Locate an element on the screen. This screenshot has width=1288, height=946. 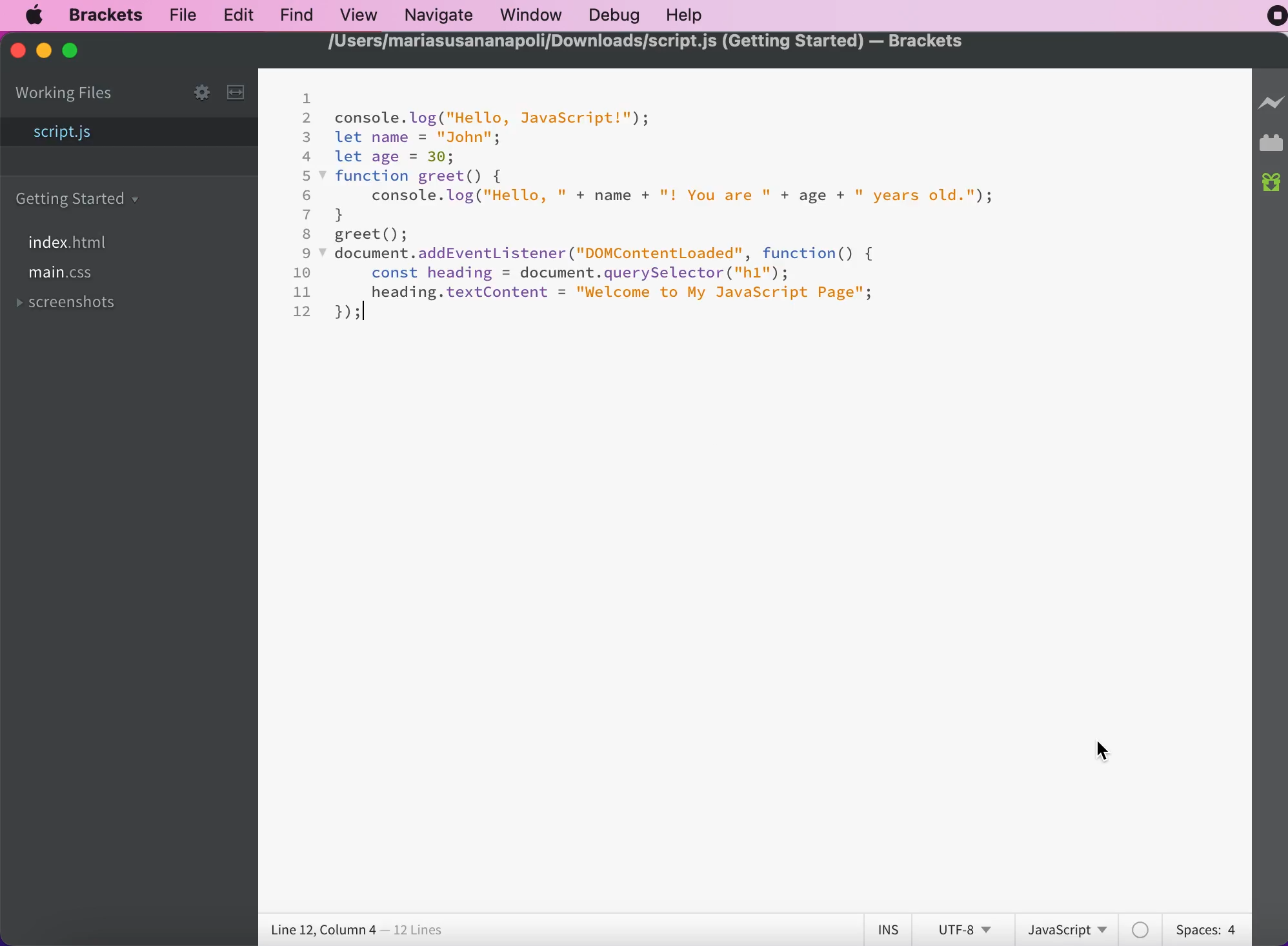
main.css is located at coordinates (64, 276).